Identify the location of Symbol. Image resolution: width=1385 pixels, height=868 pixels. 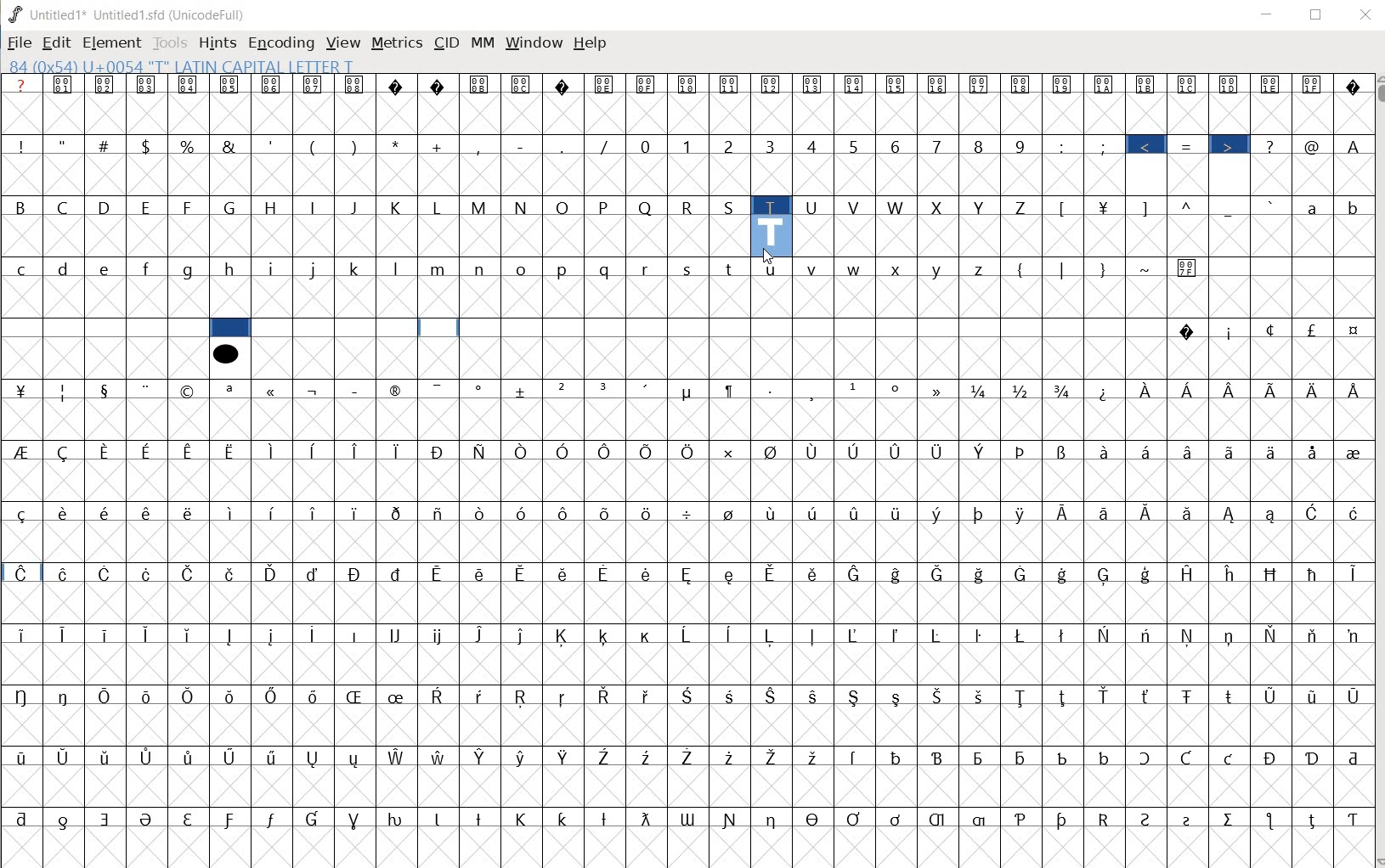
(647, 84).